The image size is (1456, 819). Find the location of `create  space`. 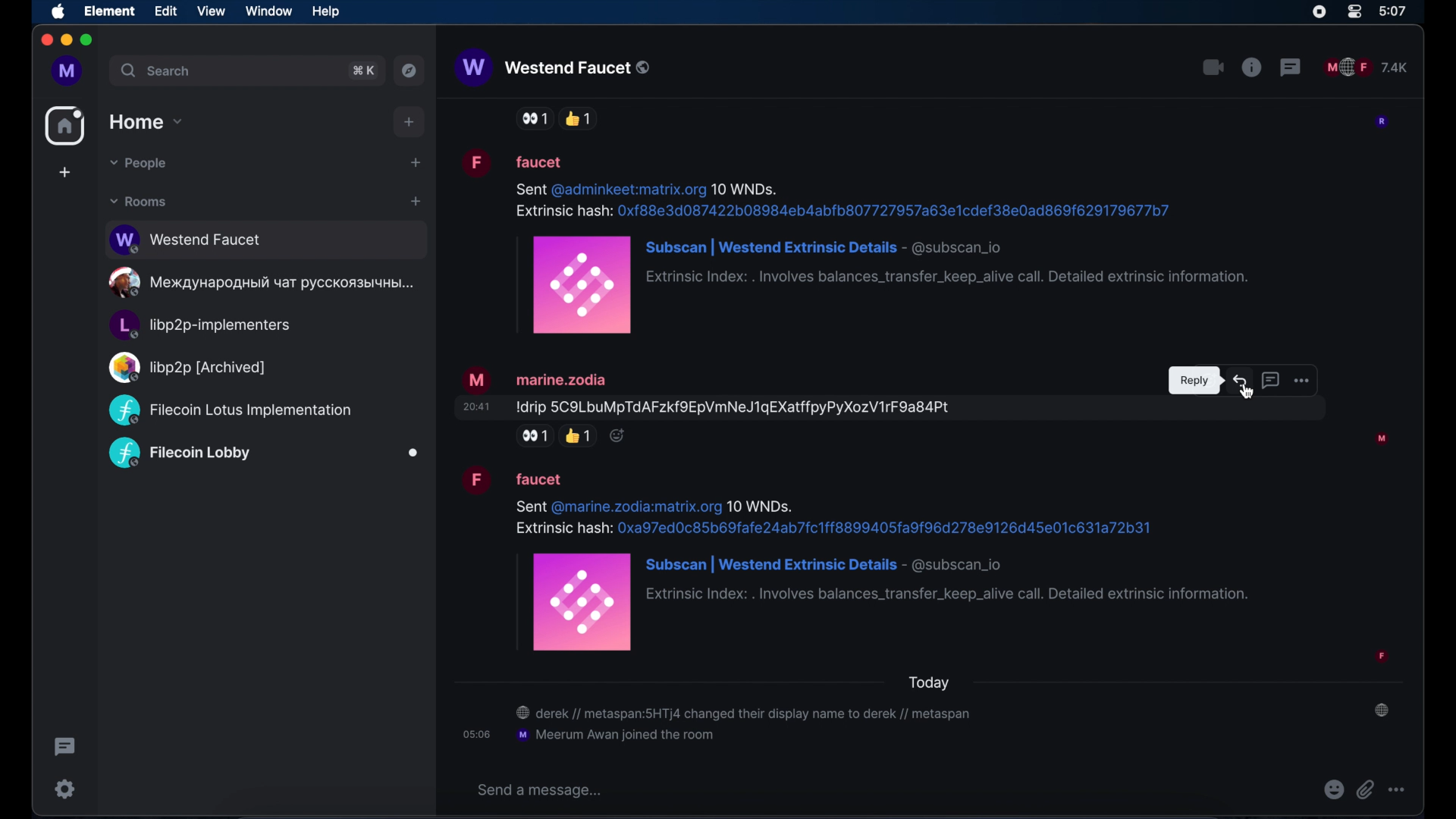

create  space is located at coordinates (66, 173).